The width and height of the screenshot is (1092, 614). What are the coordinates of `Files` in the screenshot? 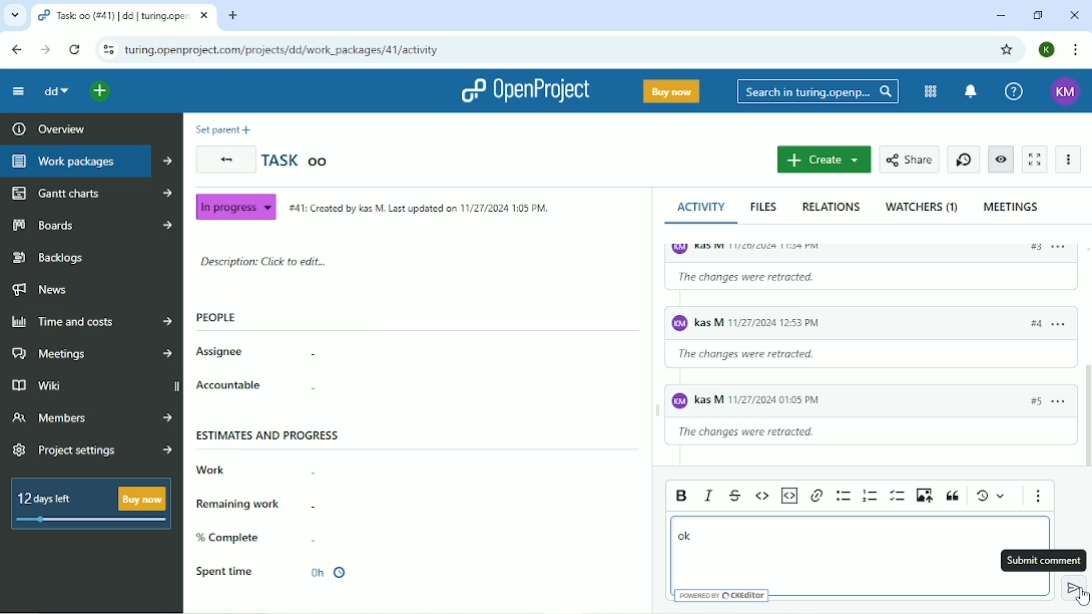 It's located at (765, 207).